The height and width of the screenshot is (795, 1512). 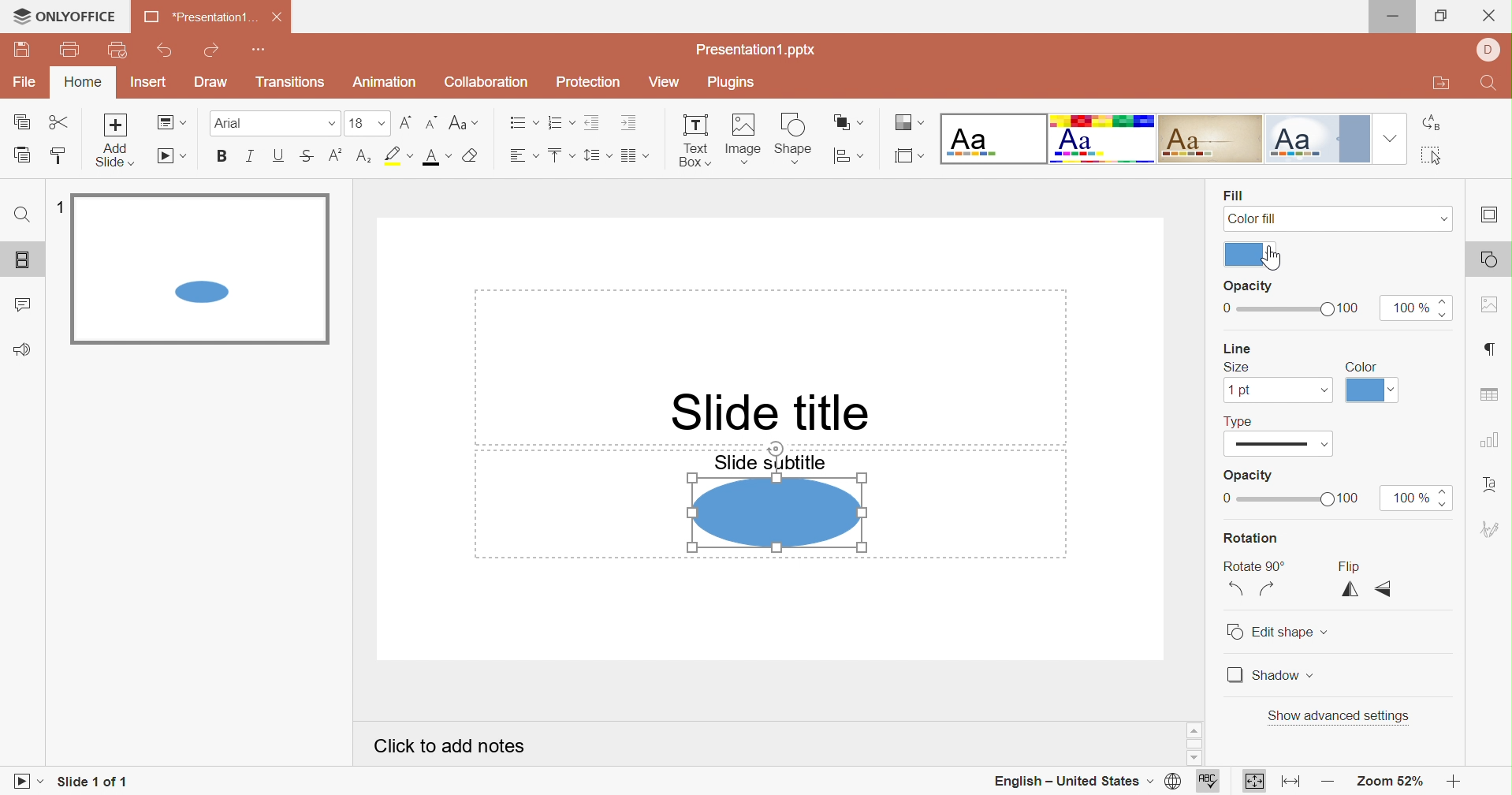 I want to click on Home, so click(x=85, y=84).